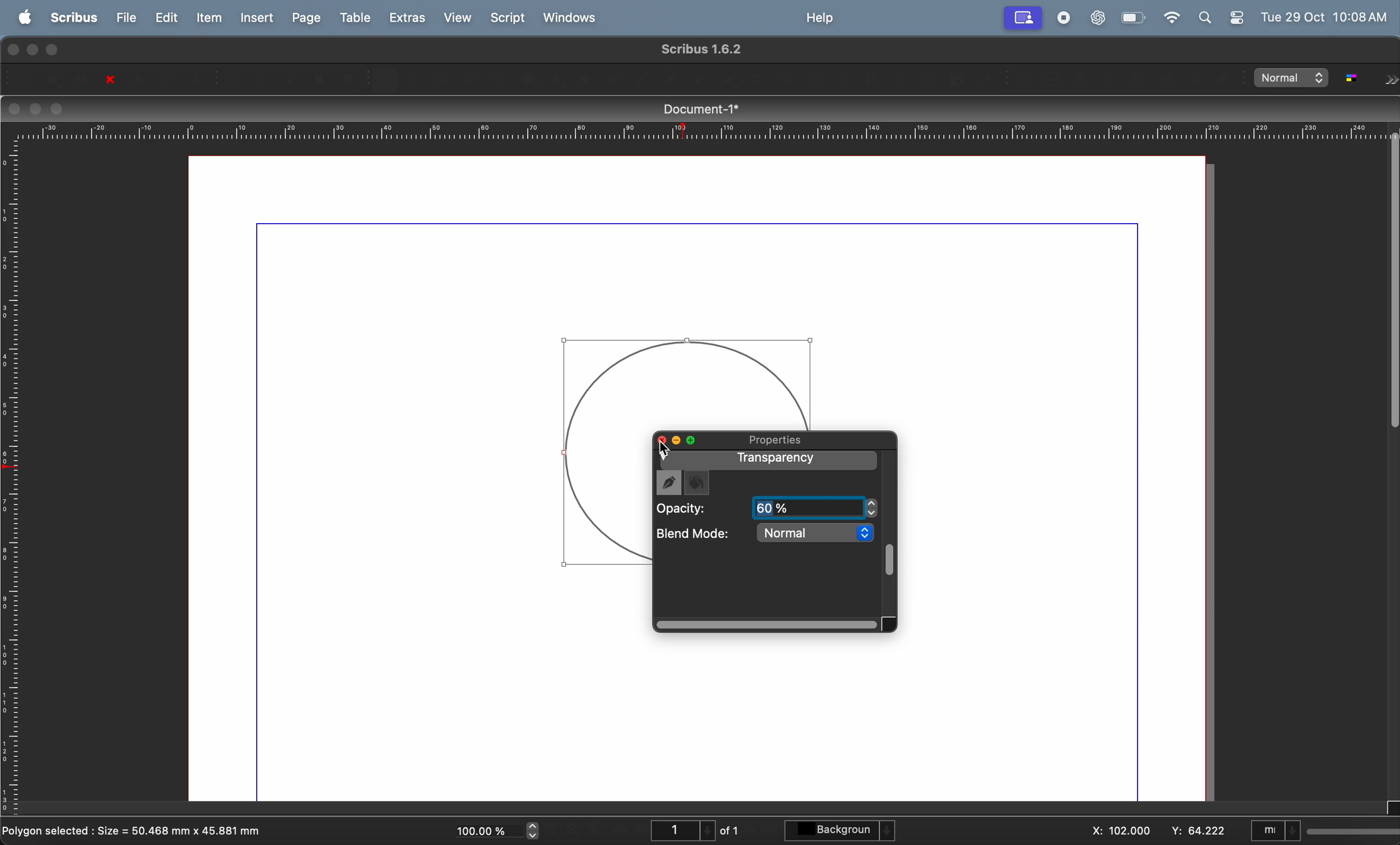 The height and width of the screenshot is (845, 1400). I want to click on extras, so click(408, 16).